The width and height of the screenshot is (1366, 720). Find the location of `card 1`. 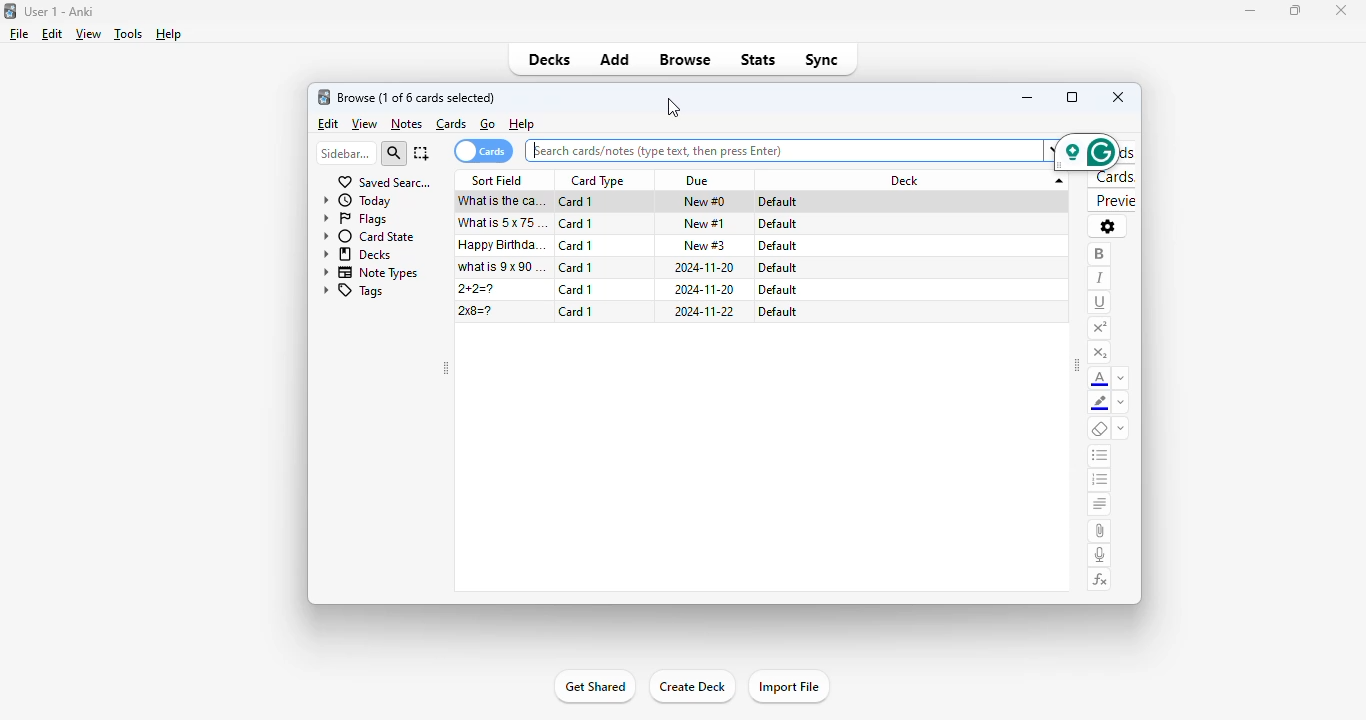

card 1 is located at coordinates (577, 245).